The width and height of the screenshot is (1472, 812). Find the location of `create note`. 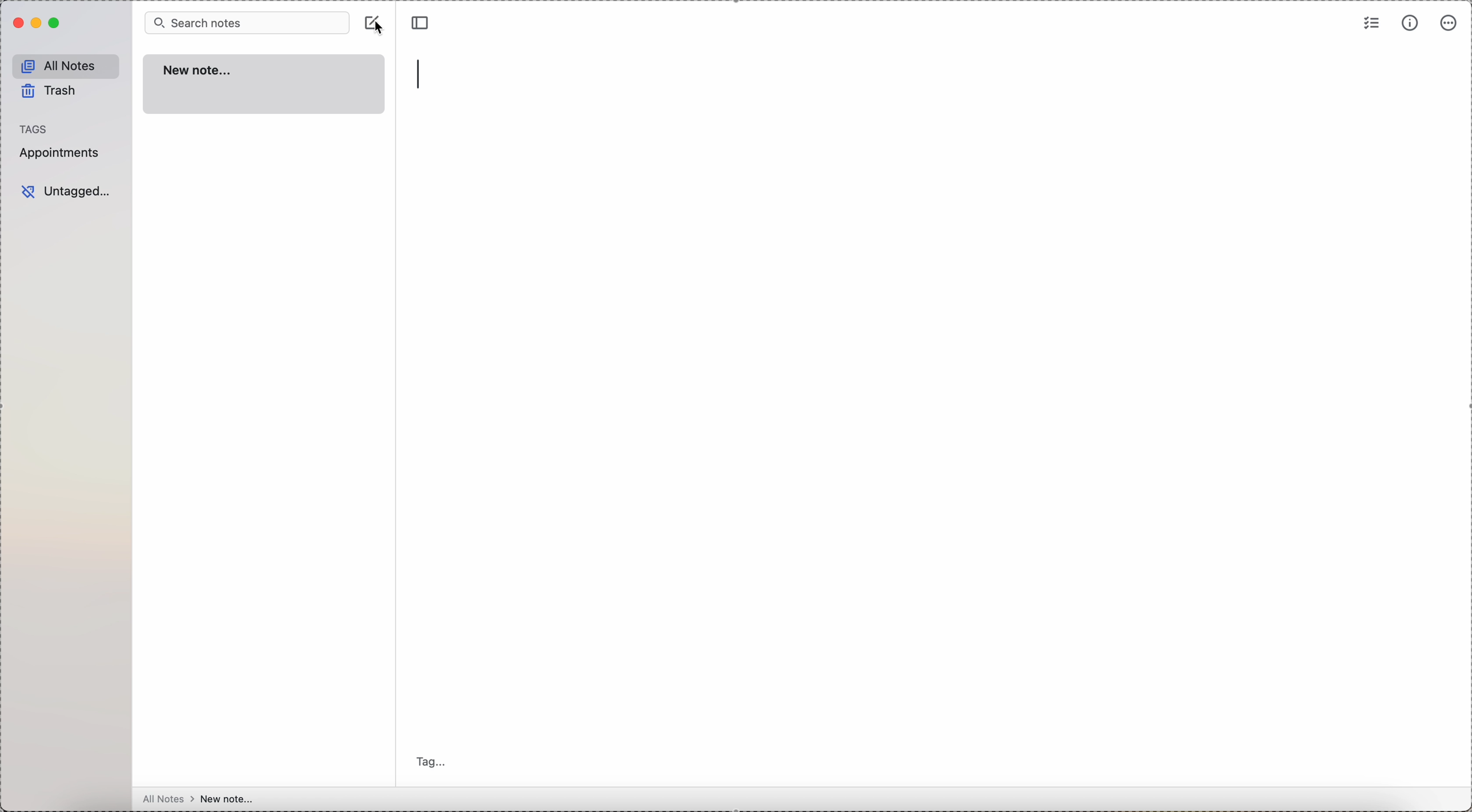

create note is located at coordinates (367, 21).